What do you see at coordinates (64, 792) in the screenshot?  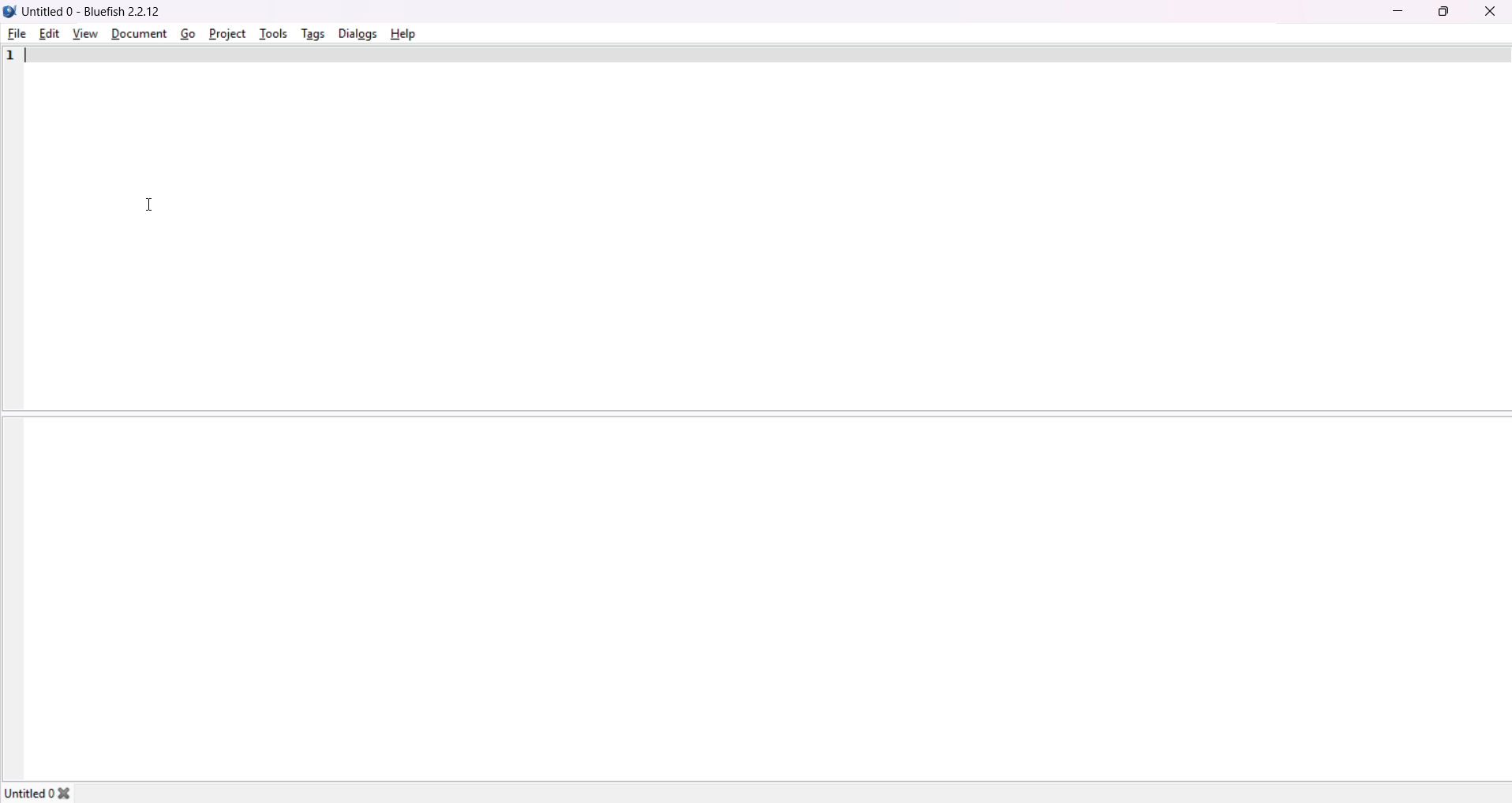 I see `close tab` at bounding box center [64, 792].